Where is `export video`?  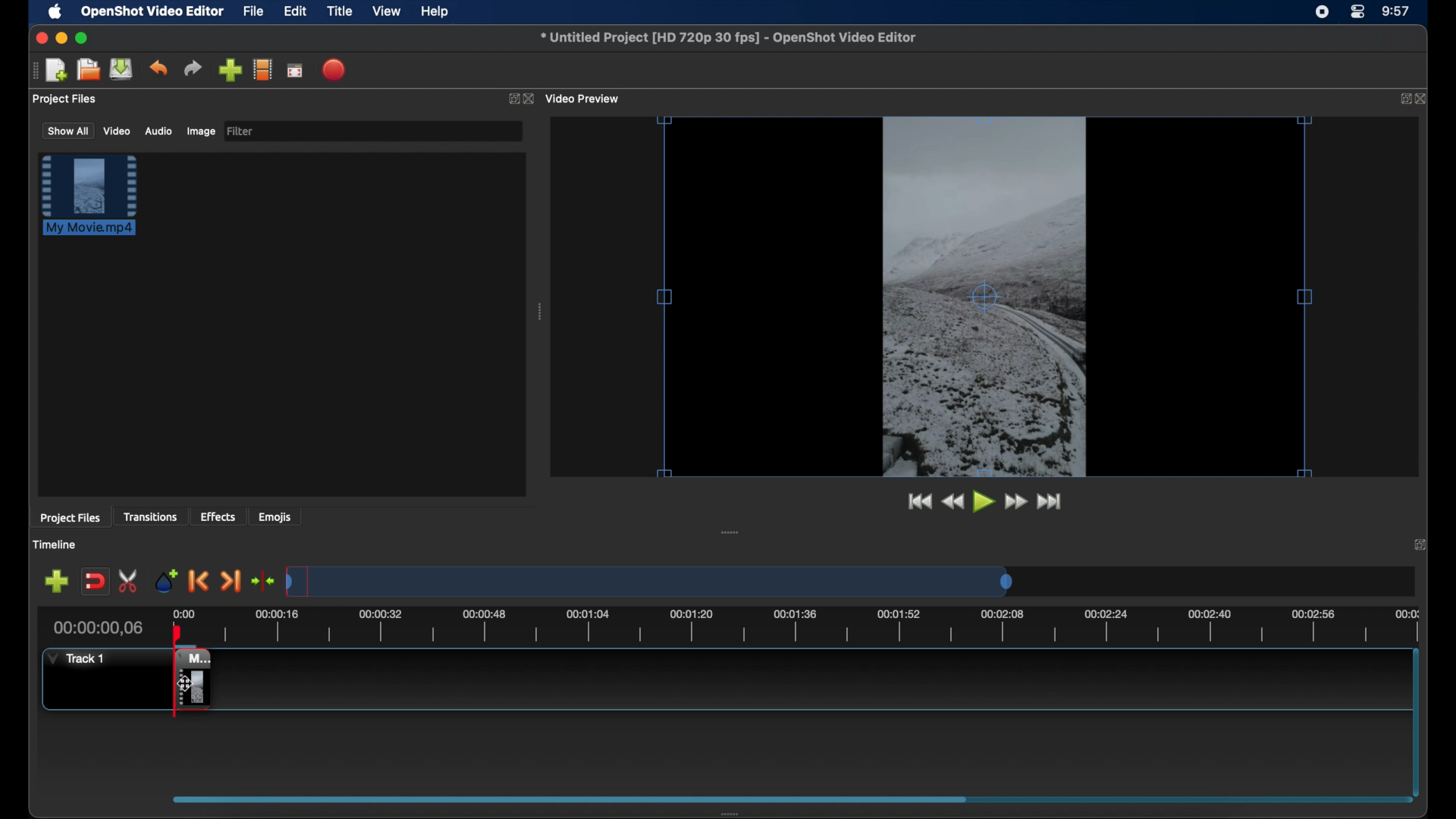
export video is located at coordinates (335, 70).